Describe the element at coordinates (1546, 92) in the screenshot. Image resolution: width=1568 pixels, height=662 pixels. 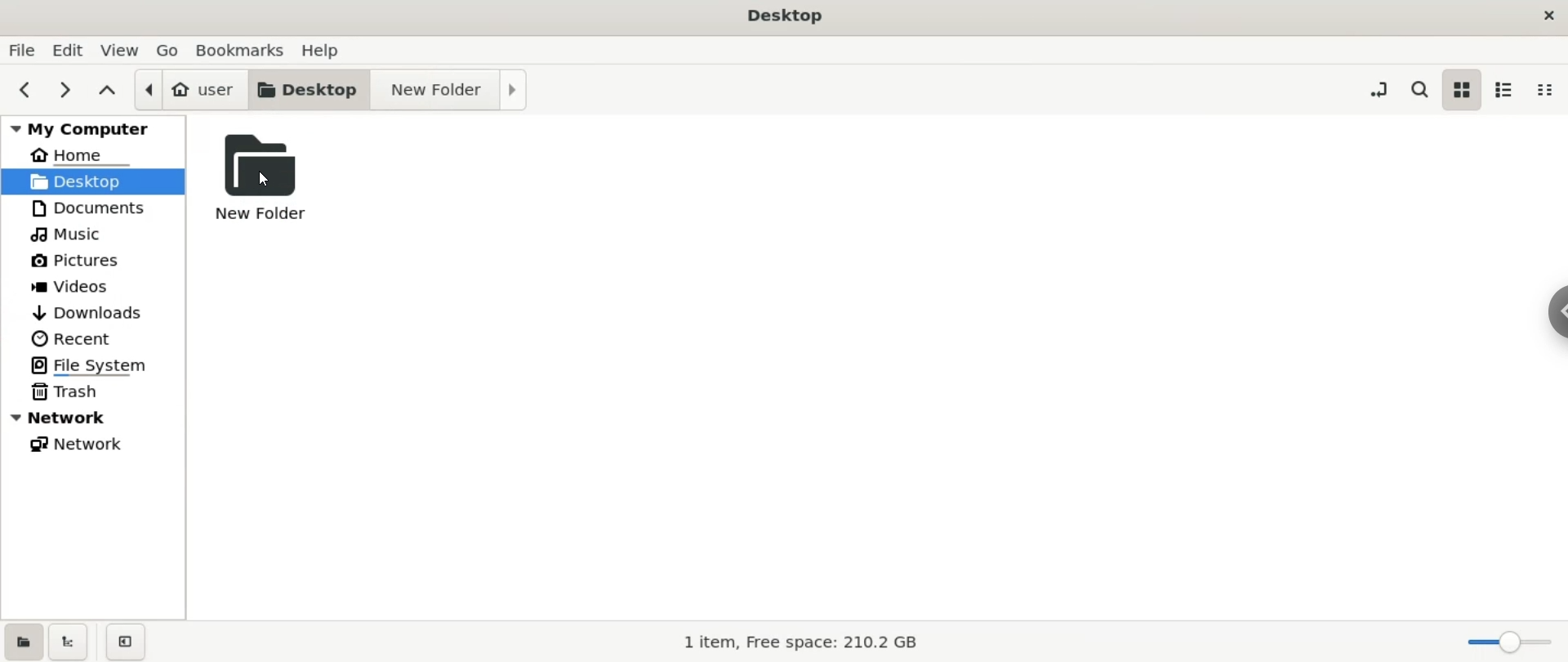
I see `compact view` at that location.